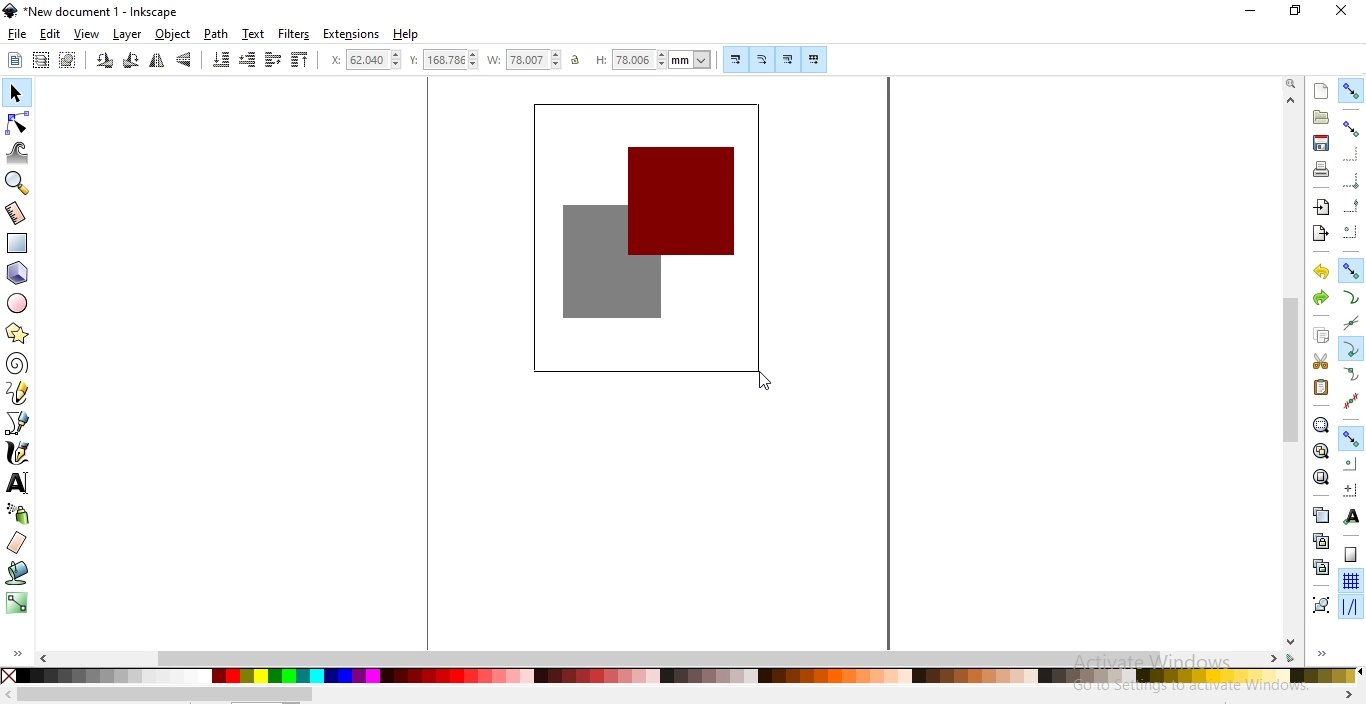 This screenshot has height=704, width=1366. What do you see at coordinates (1319, 143) in the screenshot?
I see `save document` at bounding box center [1319, 143].